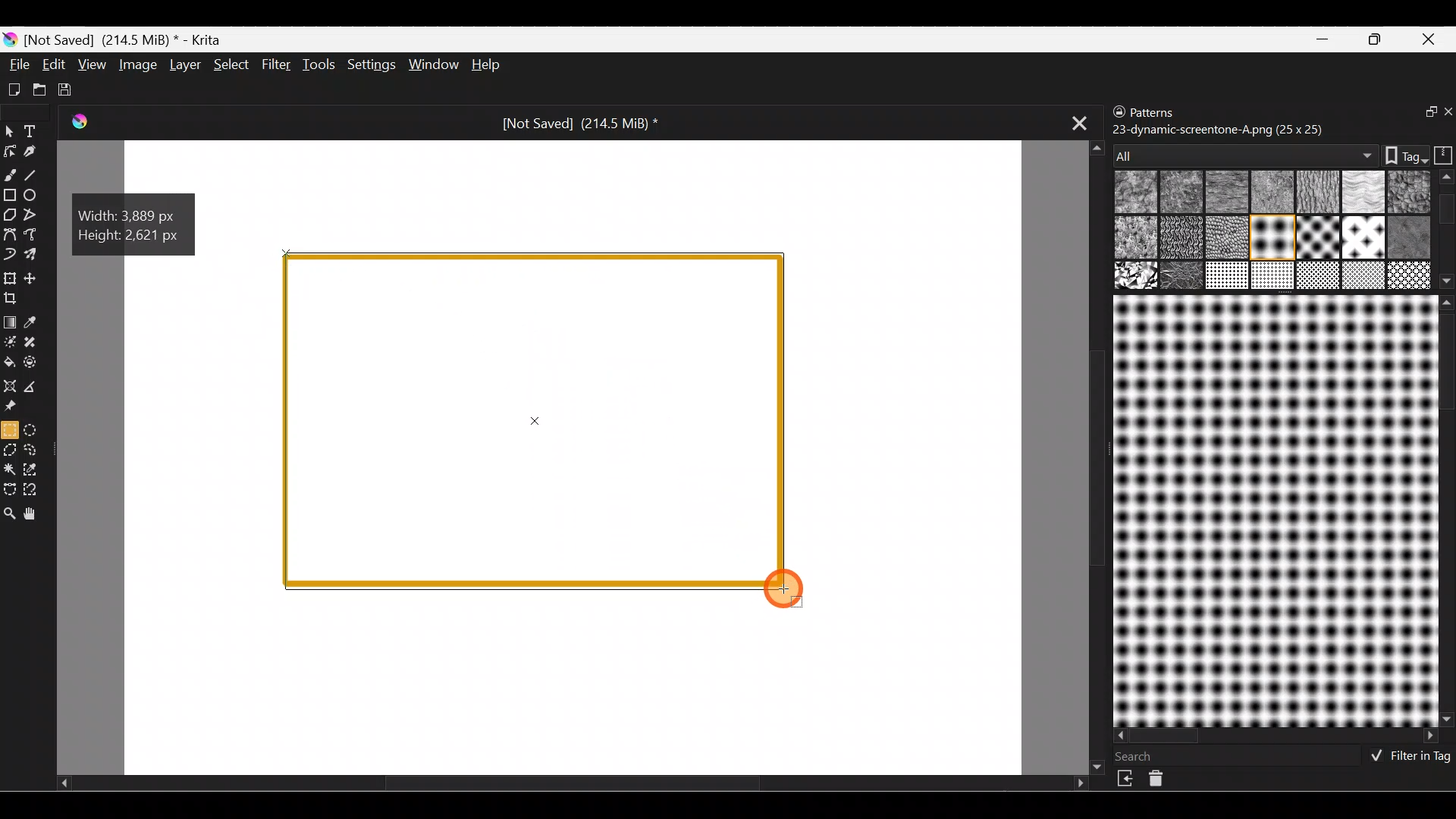  Describe the element at coordinates (1270, 240) in the screenshot. I see `10 drawed_dotted.png` at that location.